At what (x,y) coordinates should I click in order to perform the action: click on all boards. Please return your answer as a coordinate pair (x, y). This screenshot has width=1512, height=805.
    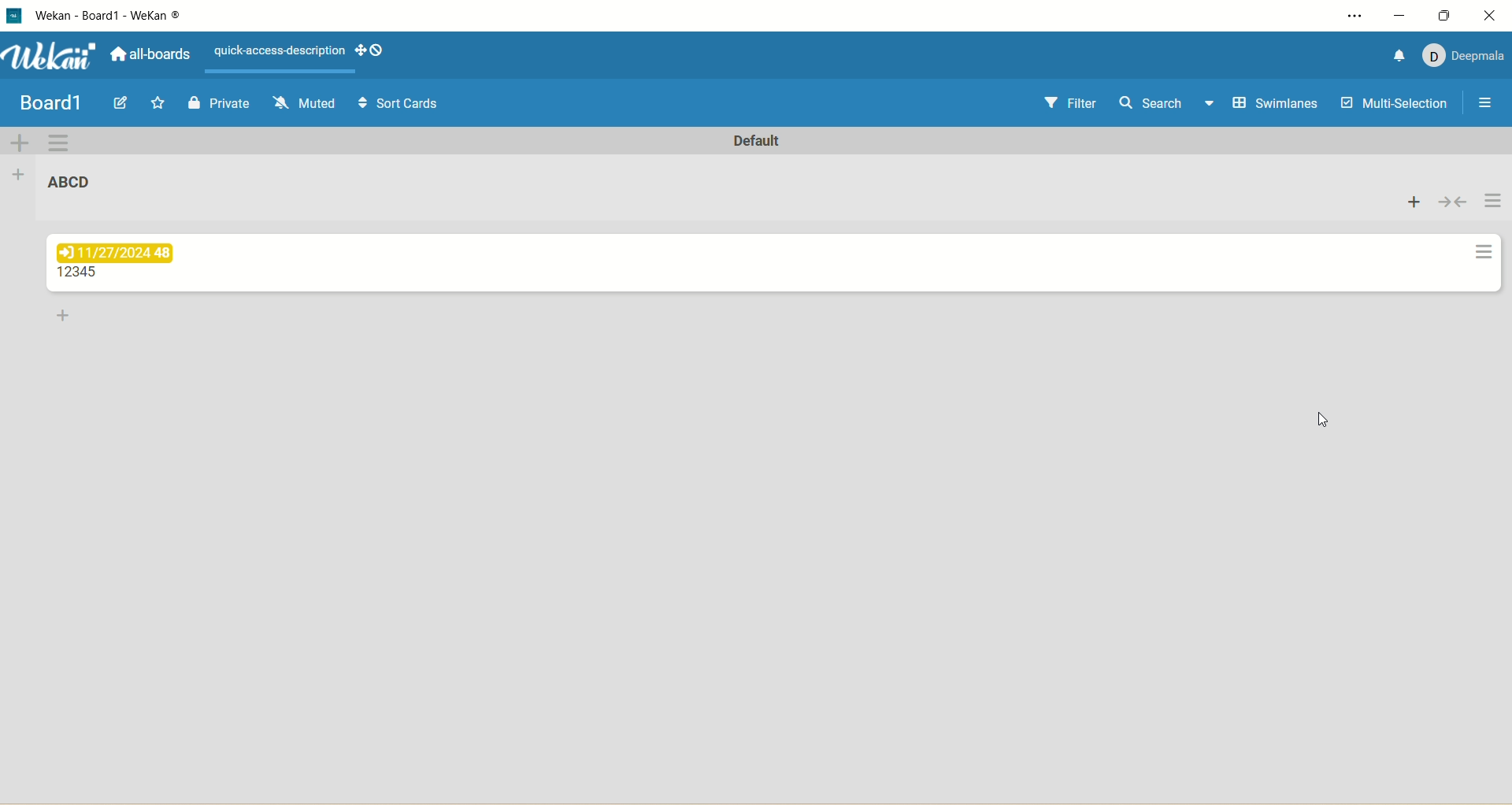
    Looking at the image, I should click on (150, 52).